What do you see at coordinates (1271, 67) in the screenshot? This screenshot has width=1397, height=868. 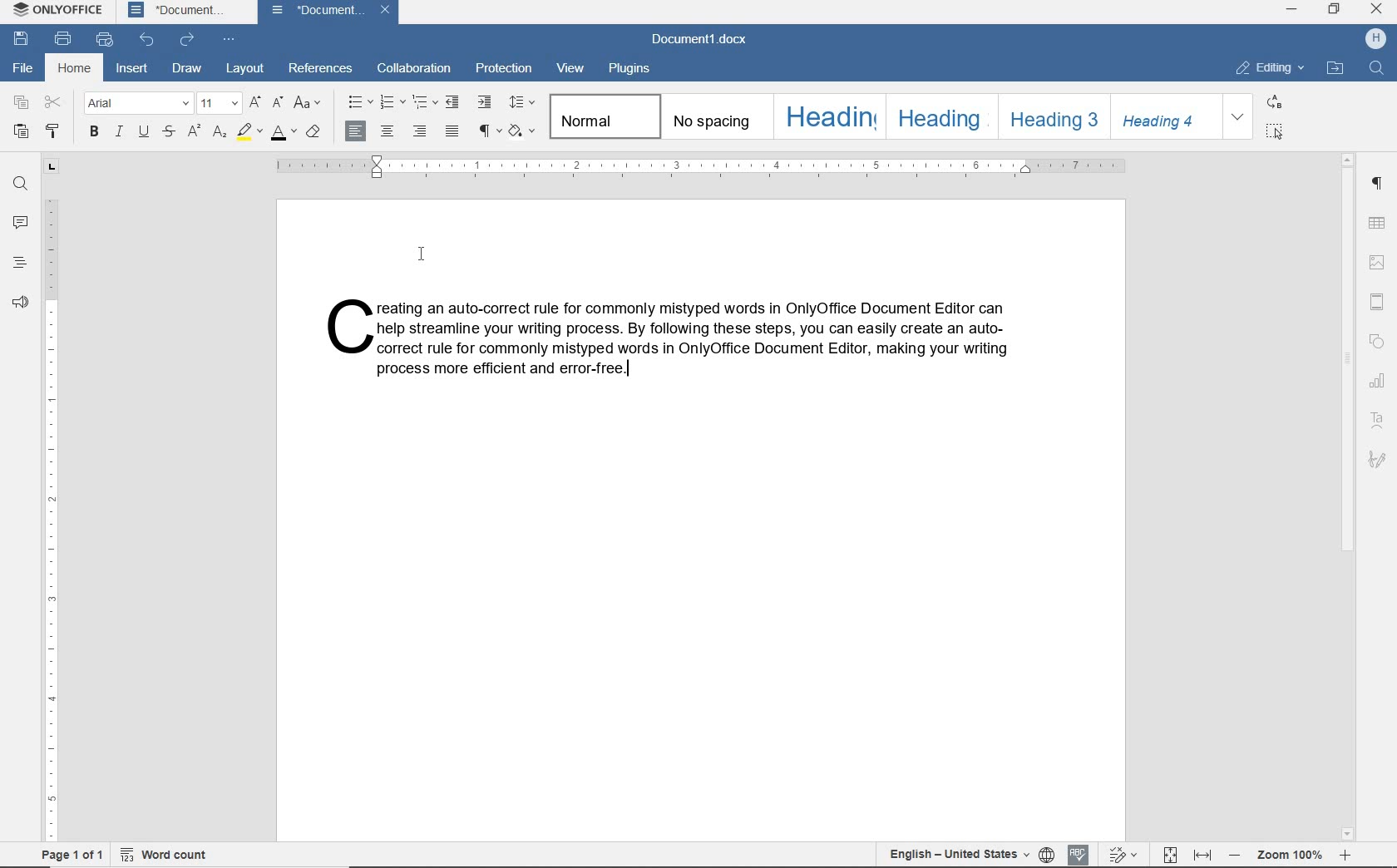 I see `EDITING` at bounding box center [1271, 67].